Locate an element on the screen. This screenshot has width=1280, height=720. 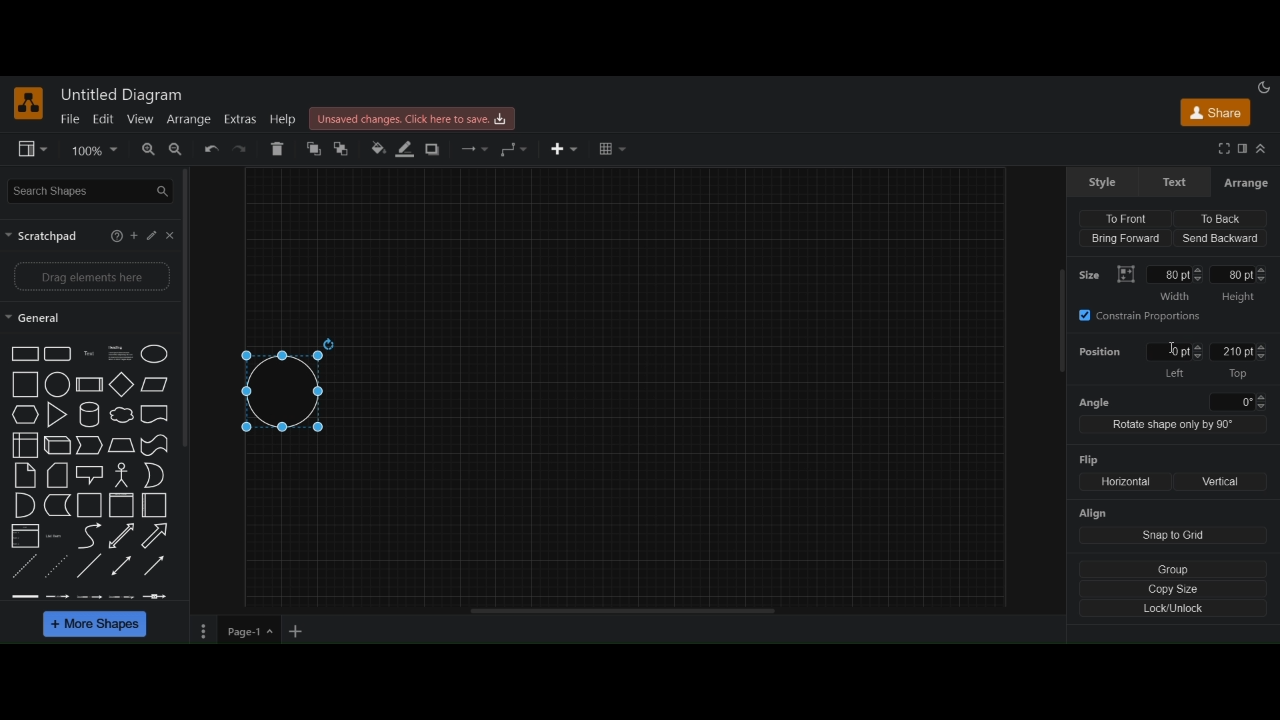
undo is located at coordinates (213, 149).